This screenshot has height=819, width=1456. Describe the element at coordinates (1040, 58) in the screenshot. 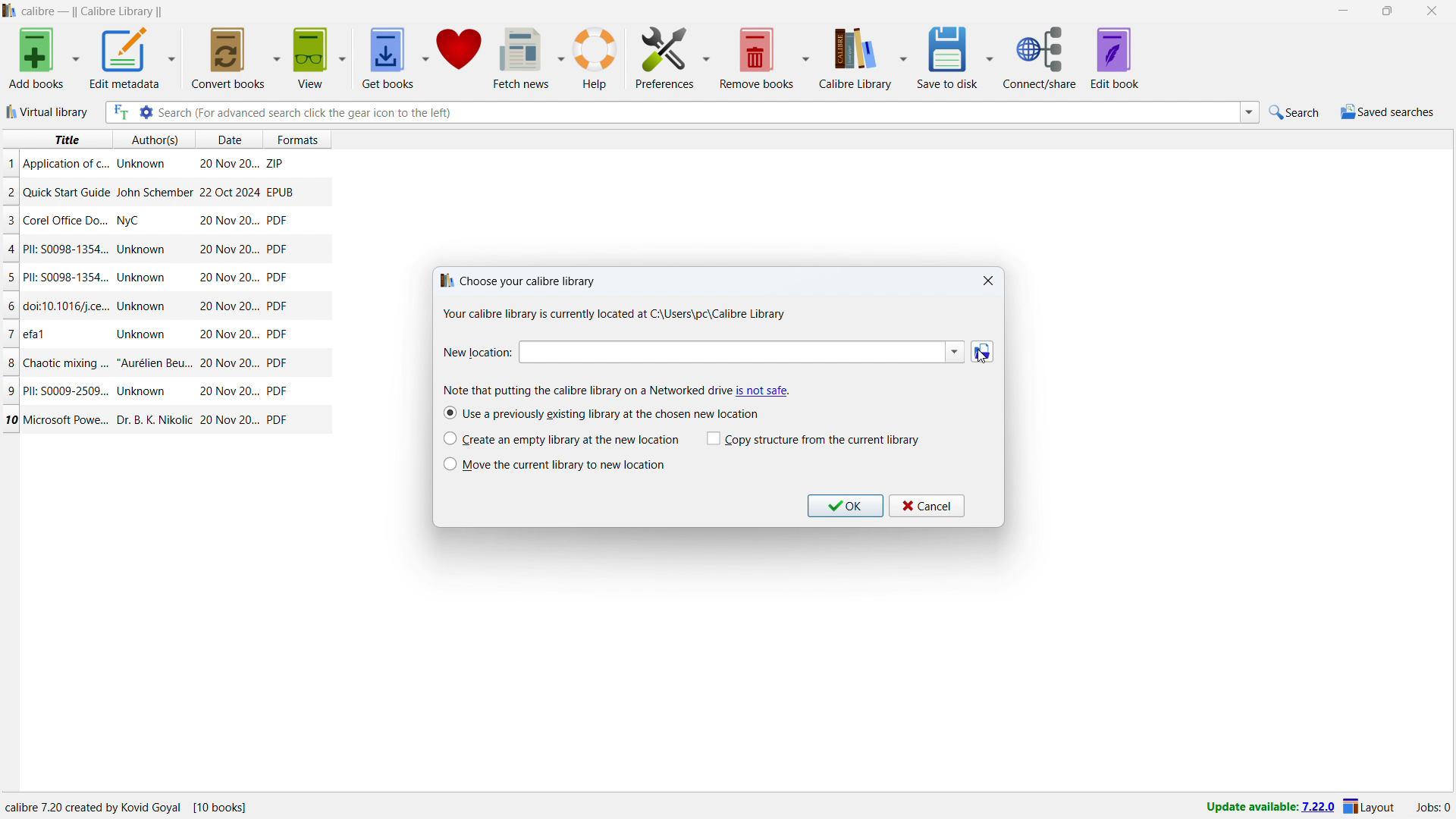

I see `connect/share` at that location.